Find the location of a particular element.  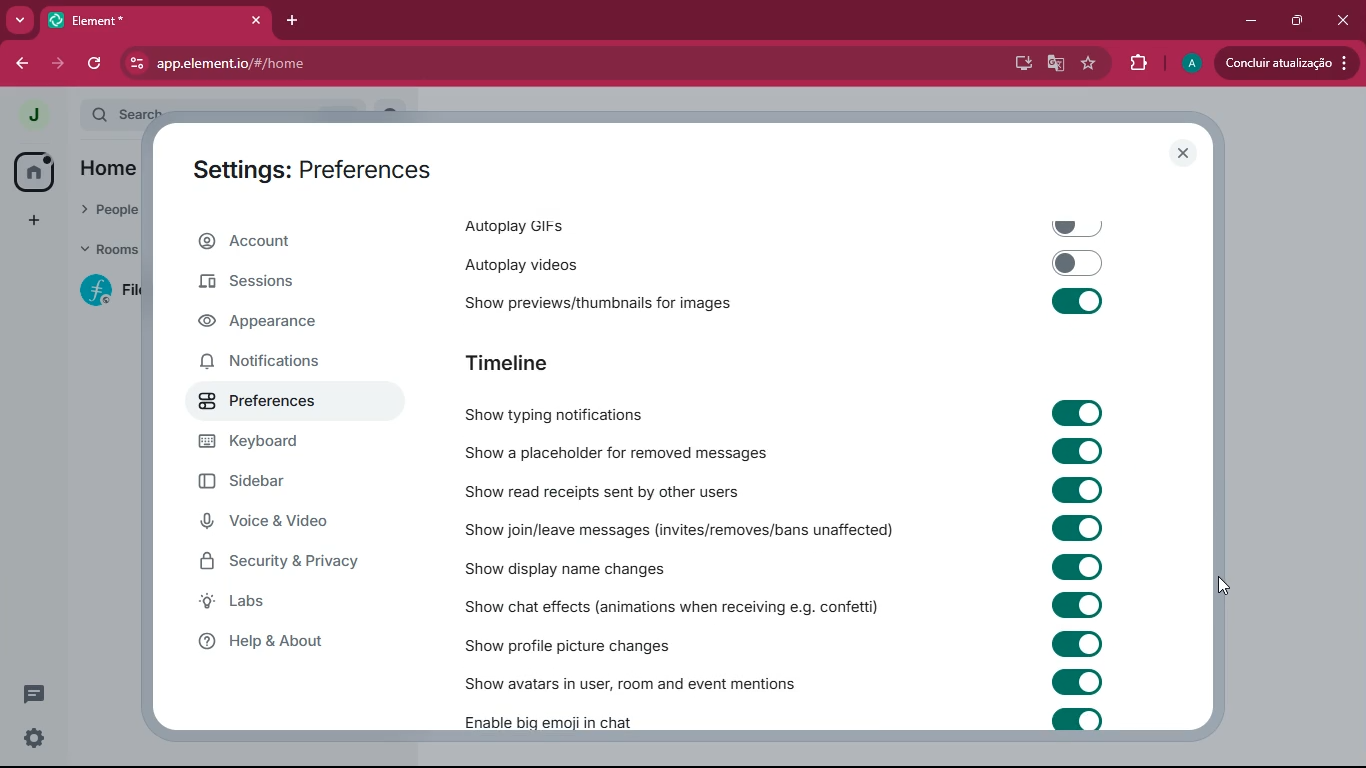

labs is located at coordinates (278, 604).